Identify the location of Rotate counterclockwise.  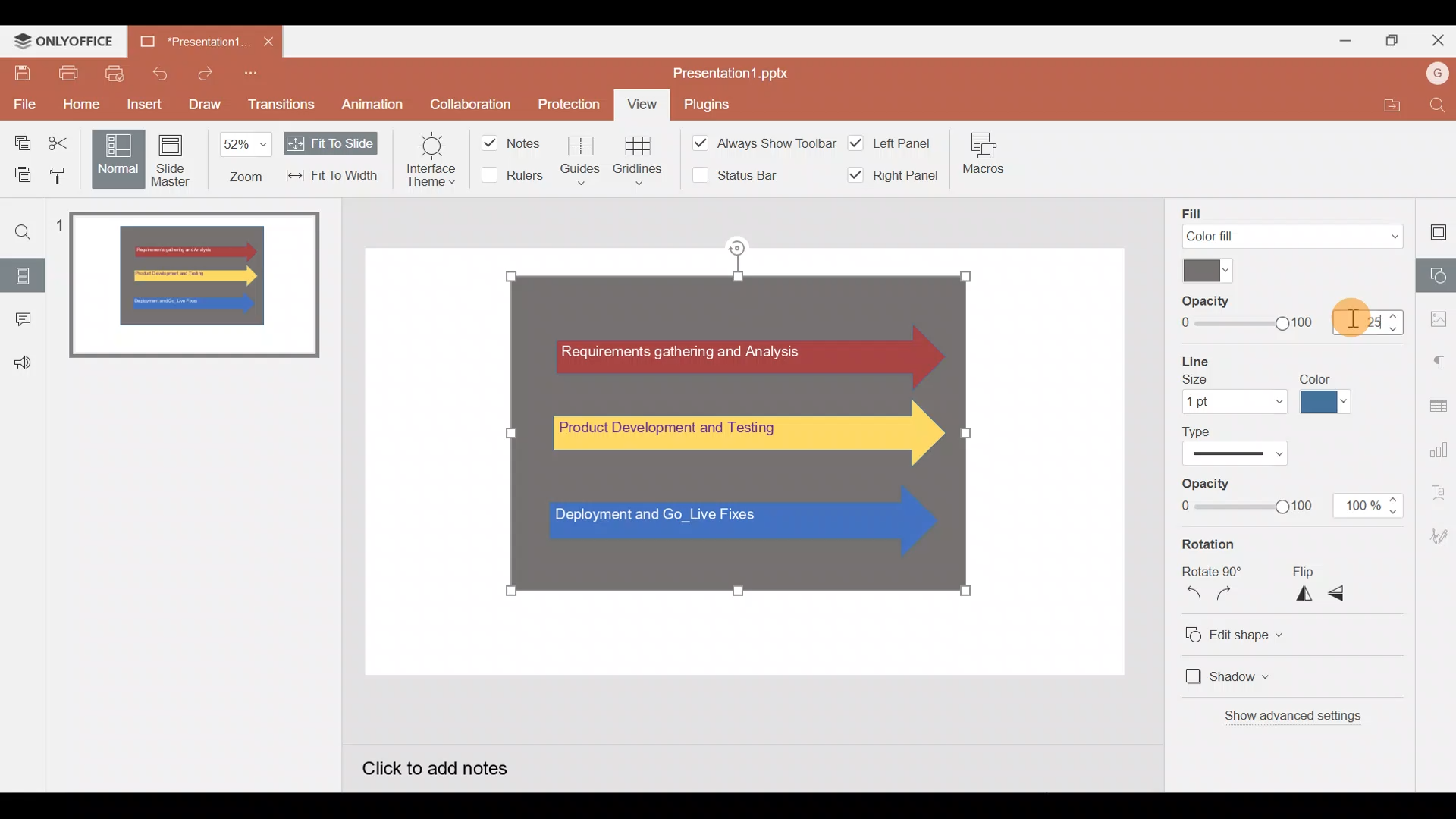
(1188, 595).